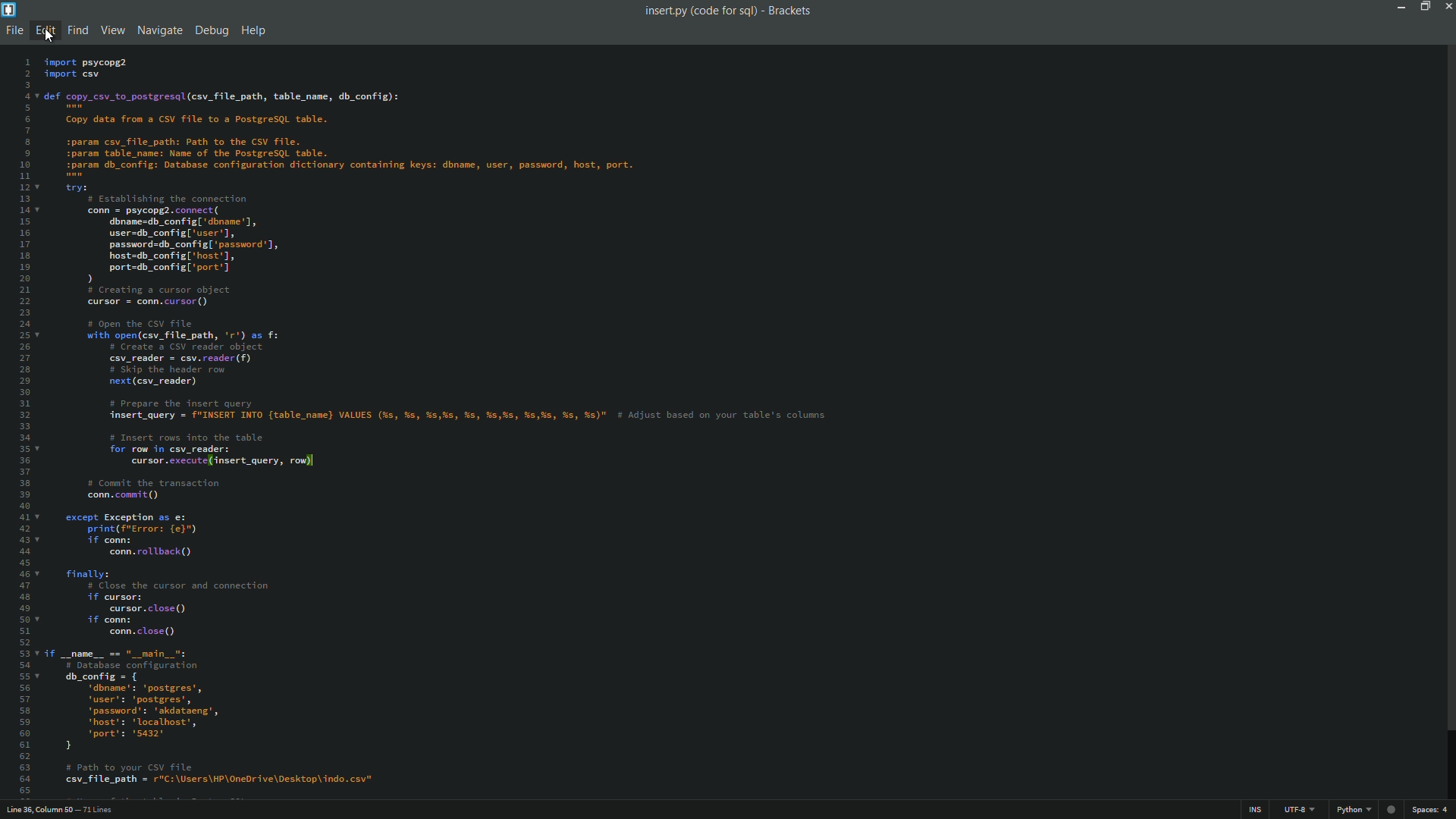  Describe the element at coordinates (111, 30) in the screenshot. I see `view menu` at that location.